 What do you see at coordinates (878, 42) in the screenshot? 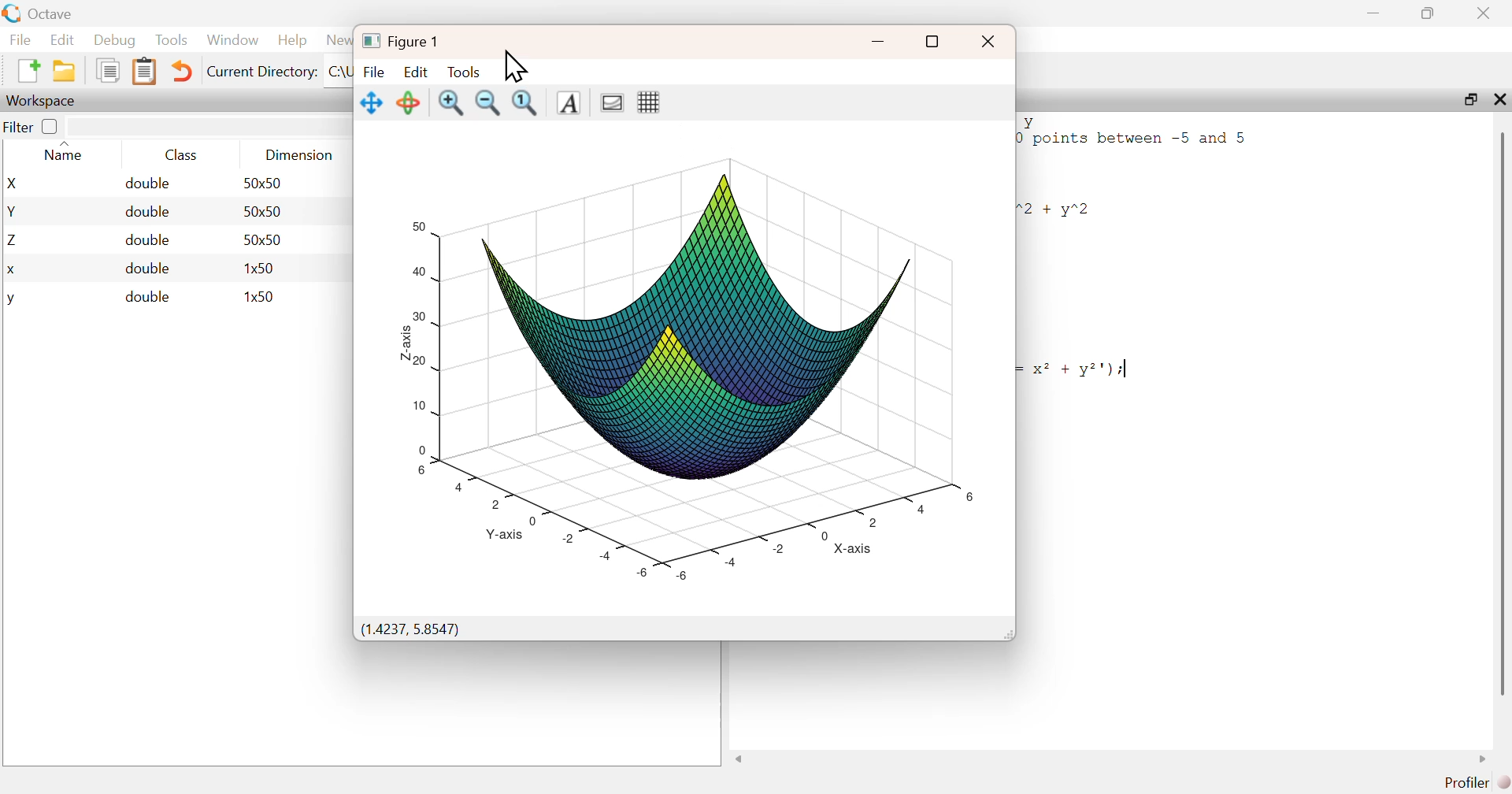
I see `minimize` at bounding box center [878, 42].